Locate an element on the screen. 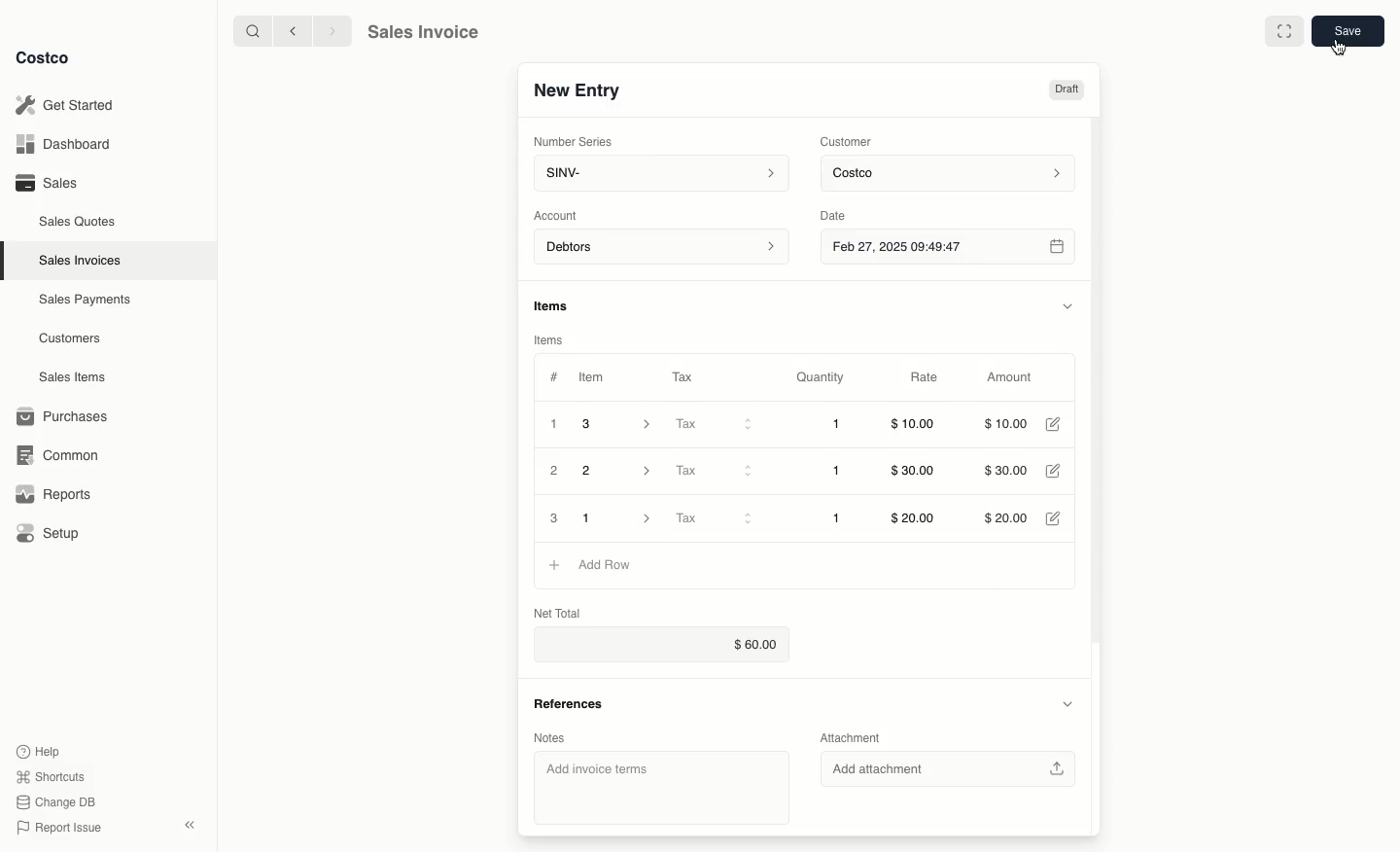 This screenshot has width=1400, height=852. 3 is located at coordinates (622, 424).